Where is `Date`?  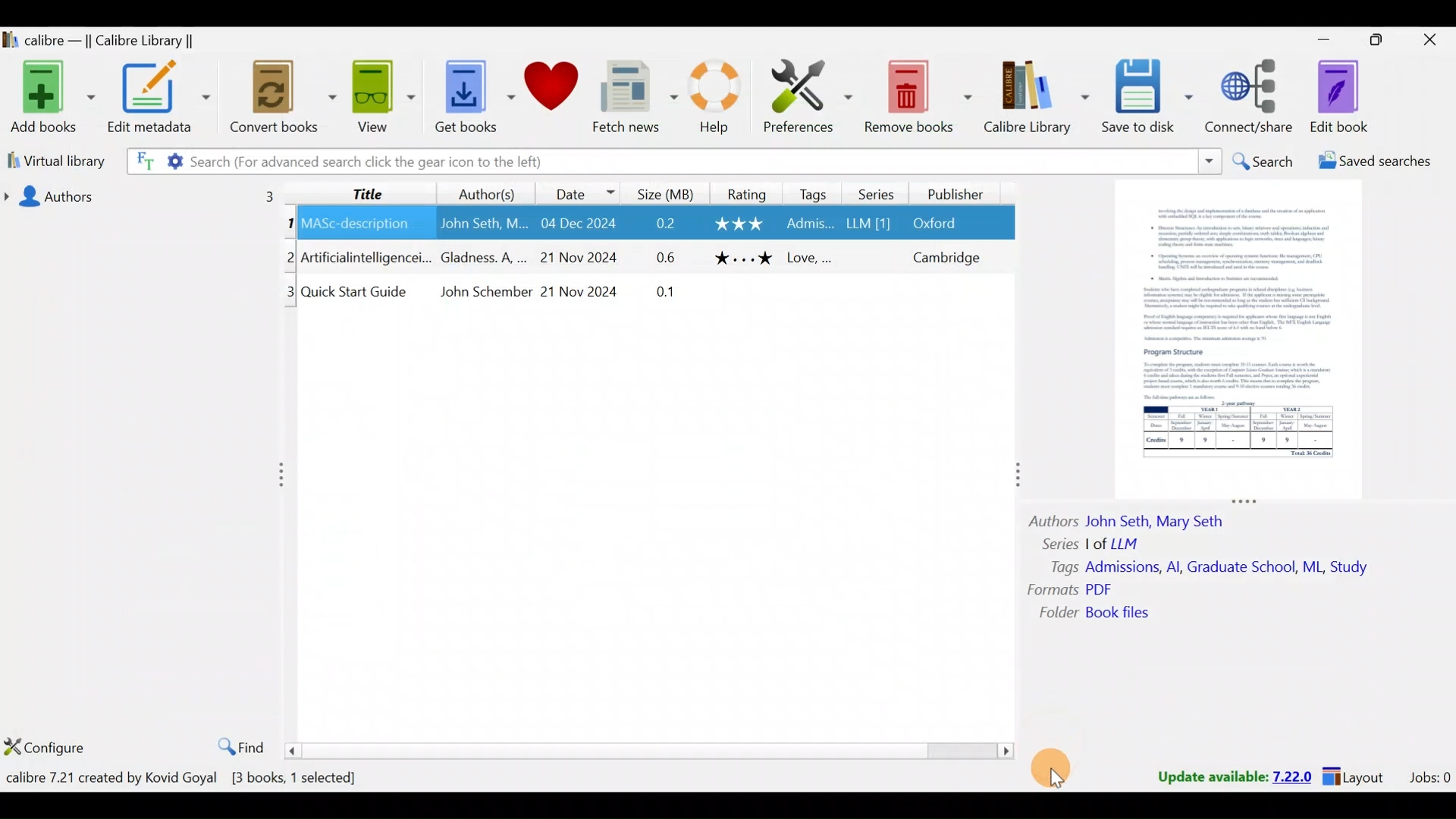 Date is located at coordinates (580, 192).